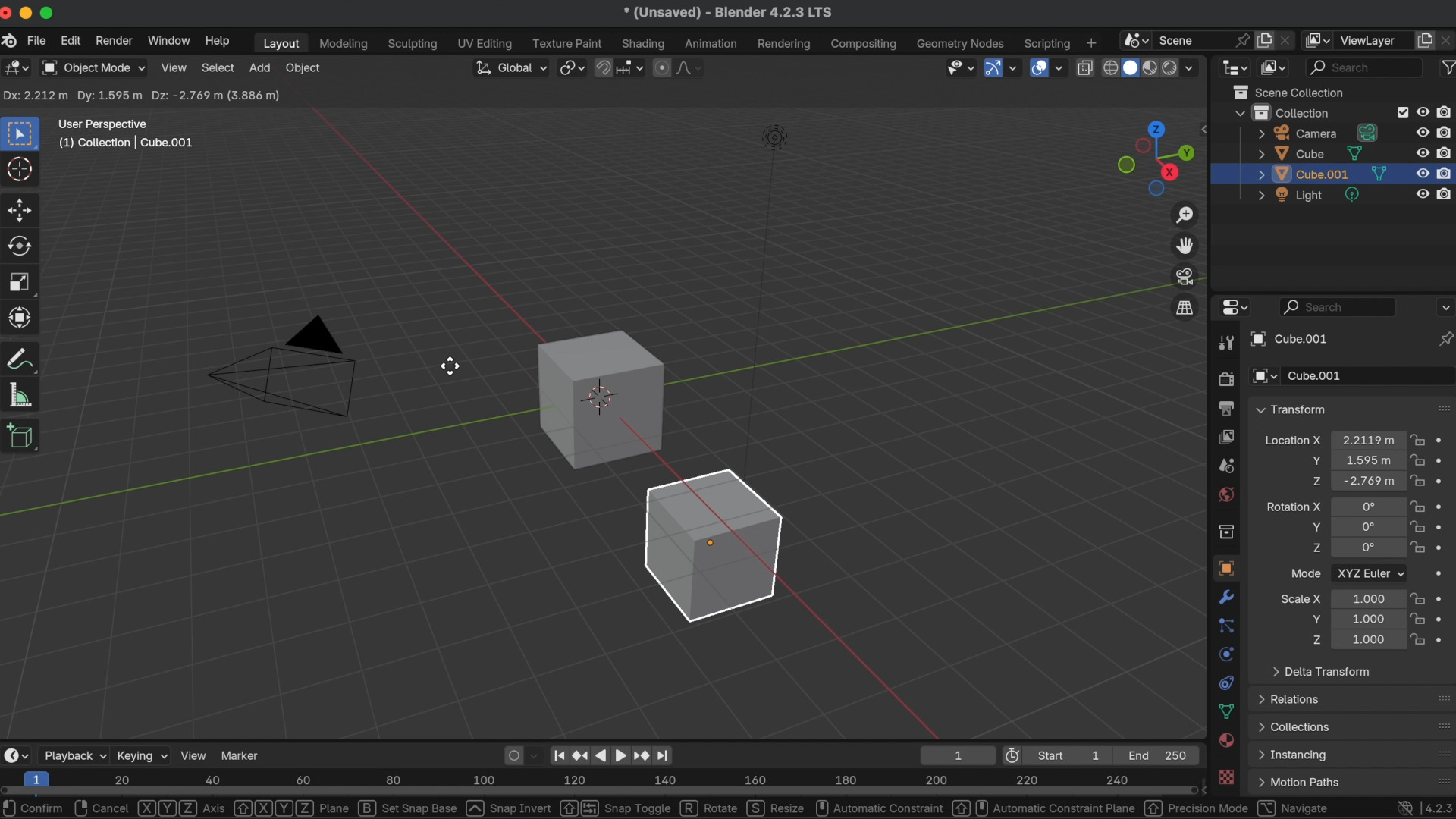 The height and width of the screenshot is (819, 1456). I want to click on location of object, so click(1369, 440).